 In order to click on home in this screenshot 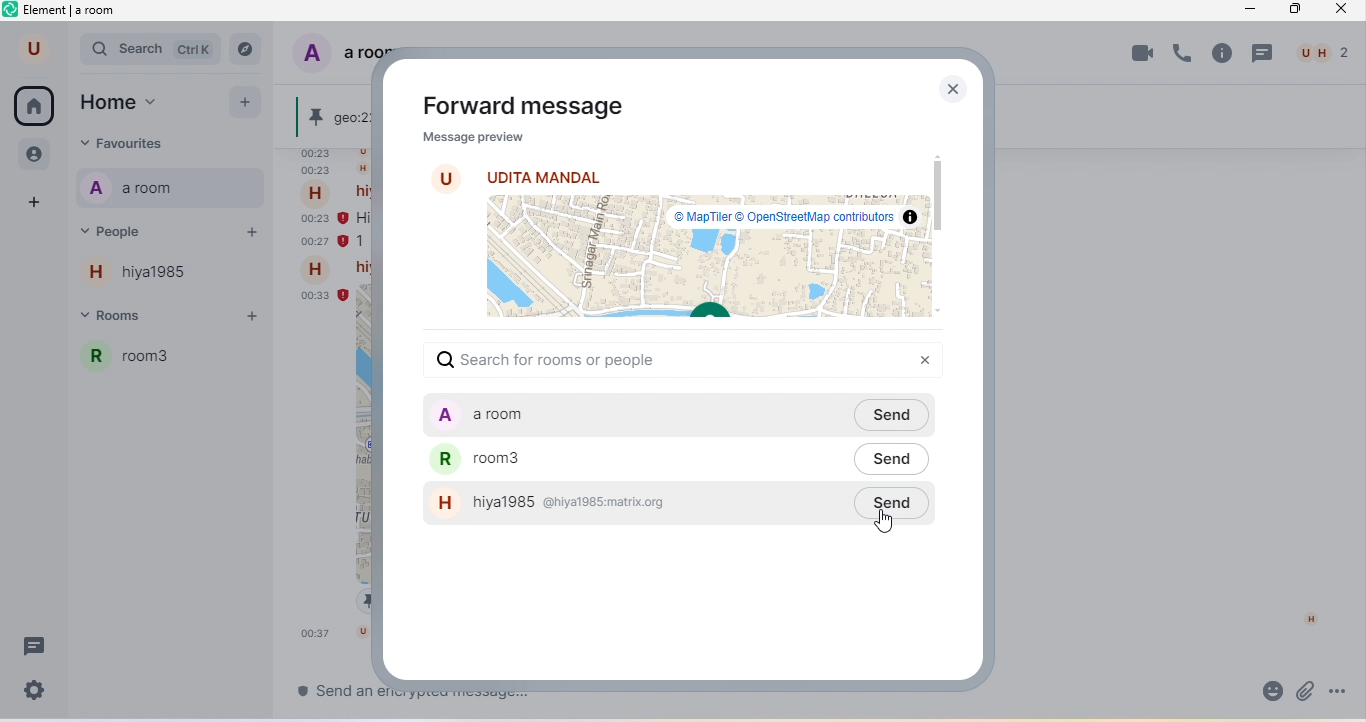, I will do `click(135, 102)`.